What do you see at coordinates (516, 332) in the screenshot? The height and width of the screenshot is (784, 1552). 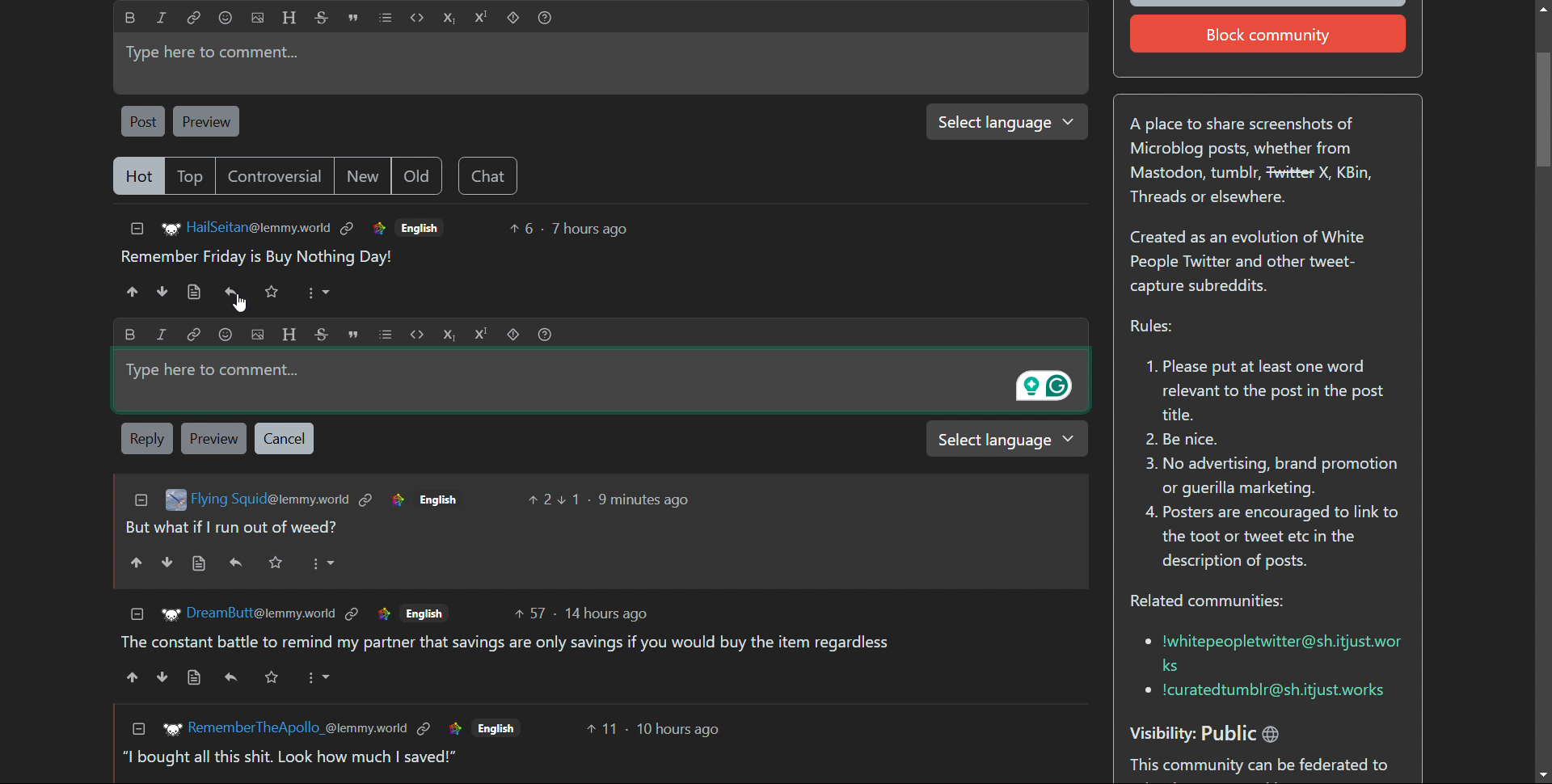 I see `spoiler` at bounding box center [516, 332].